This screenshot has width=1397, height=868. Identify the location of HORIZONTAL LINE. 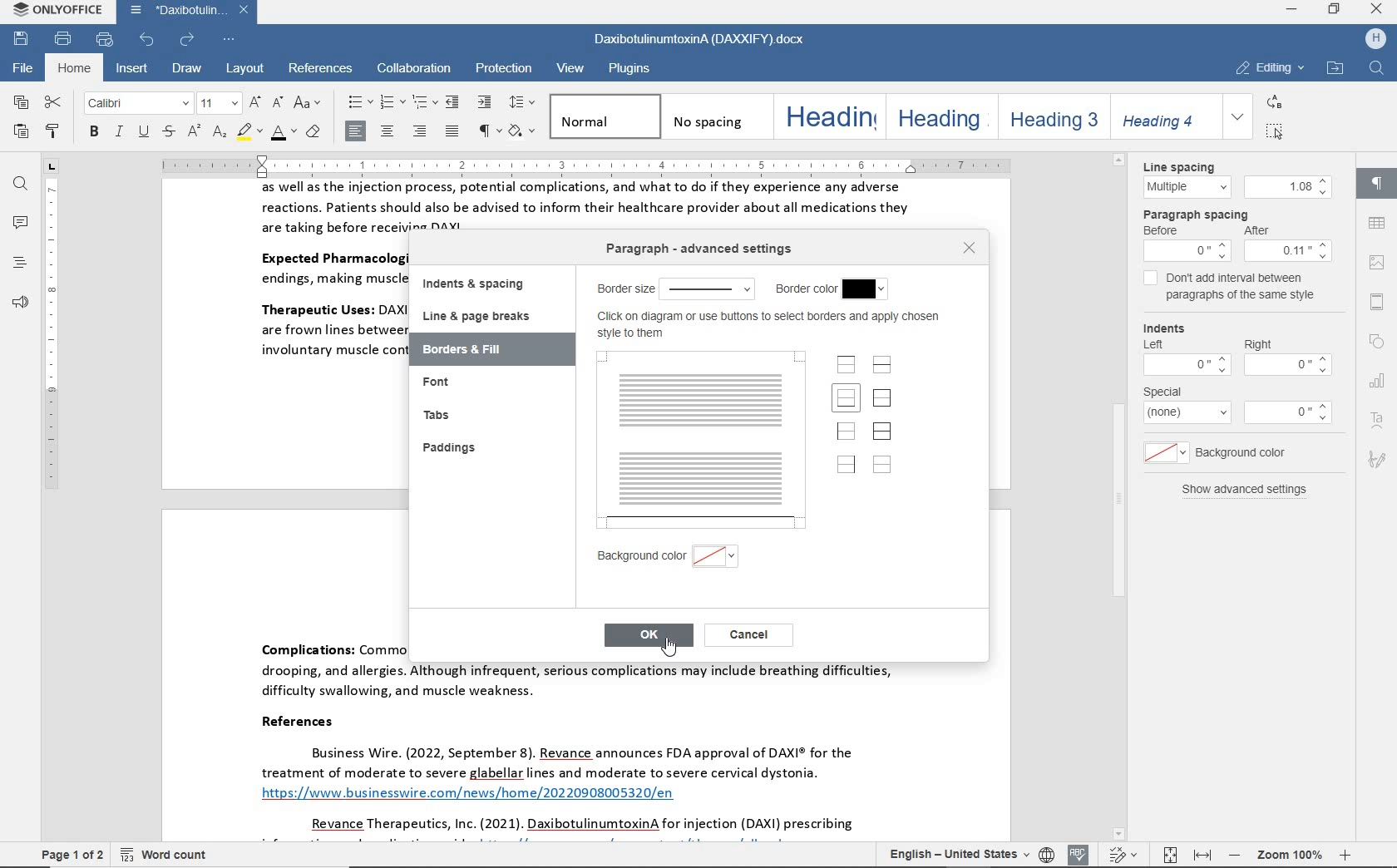
(707, 516).